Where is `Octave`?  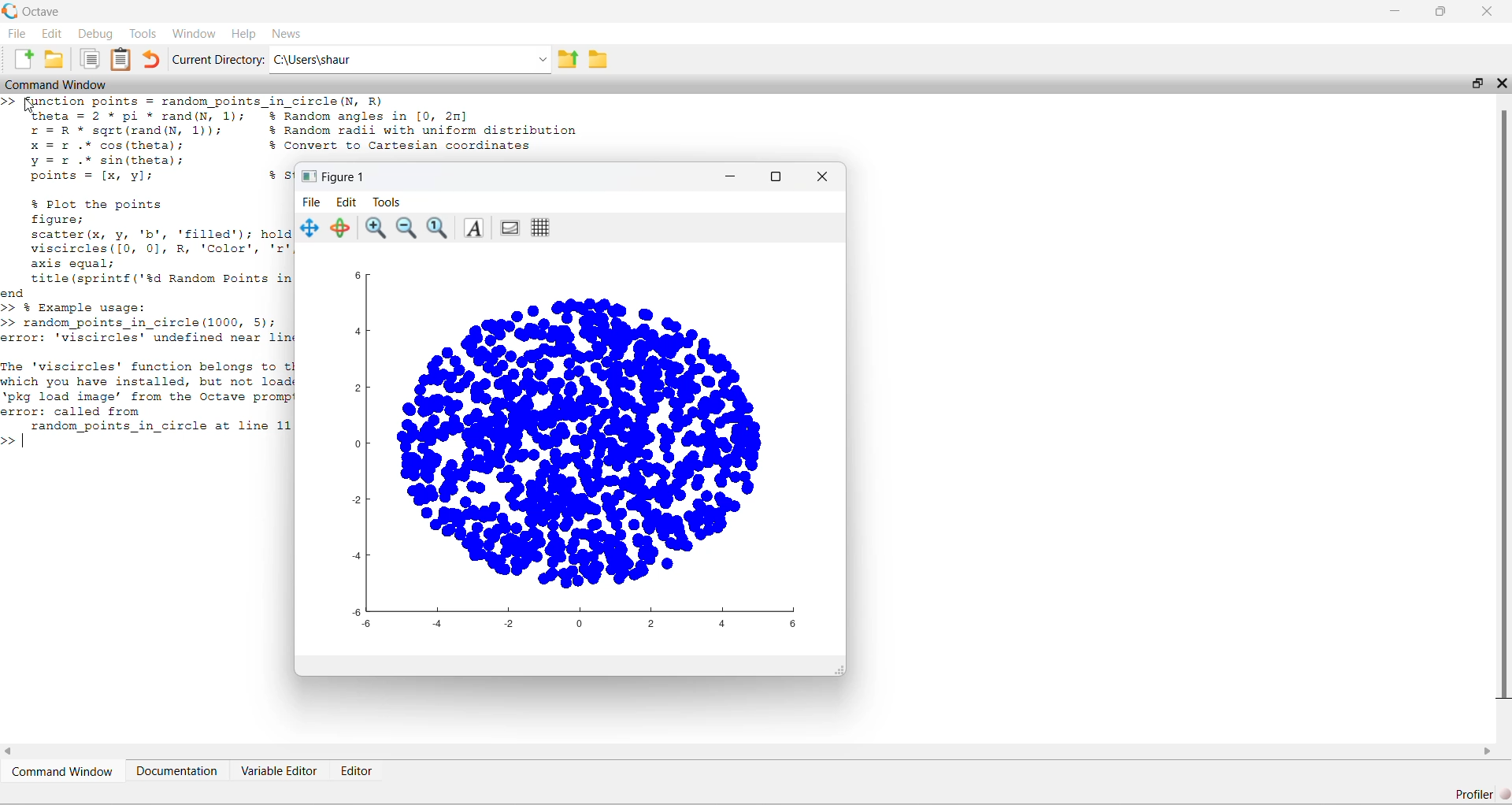
Octave is located at coordinates (41, 13).